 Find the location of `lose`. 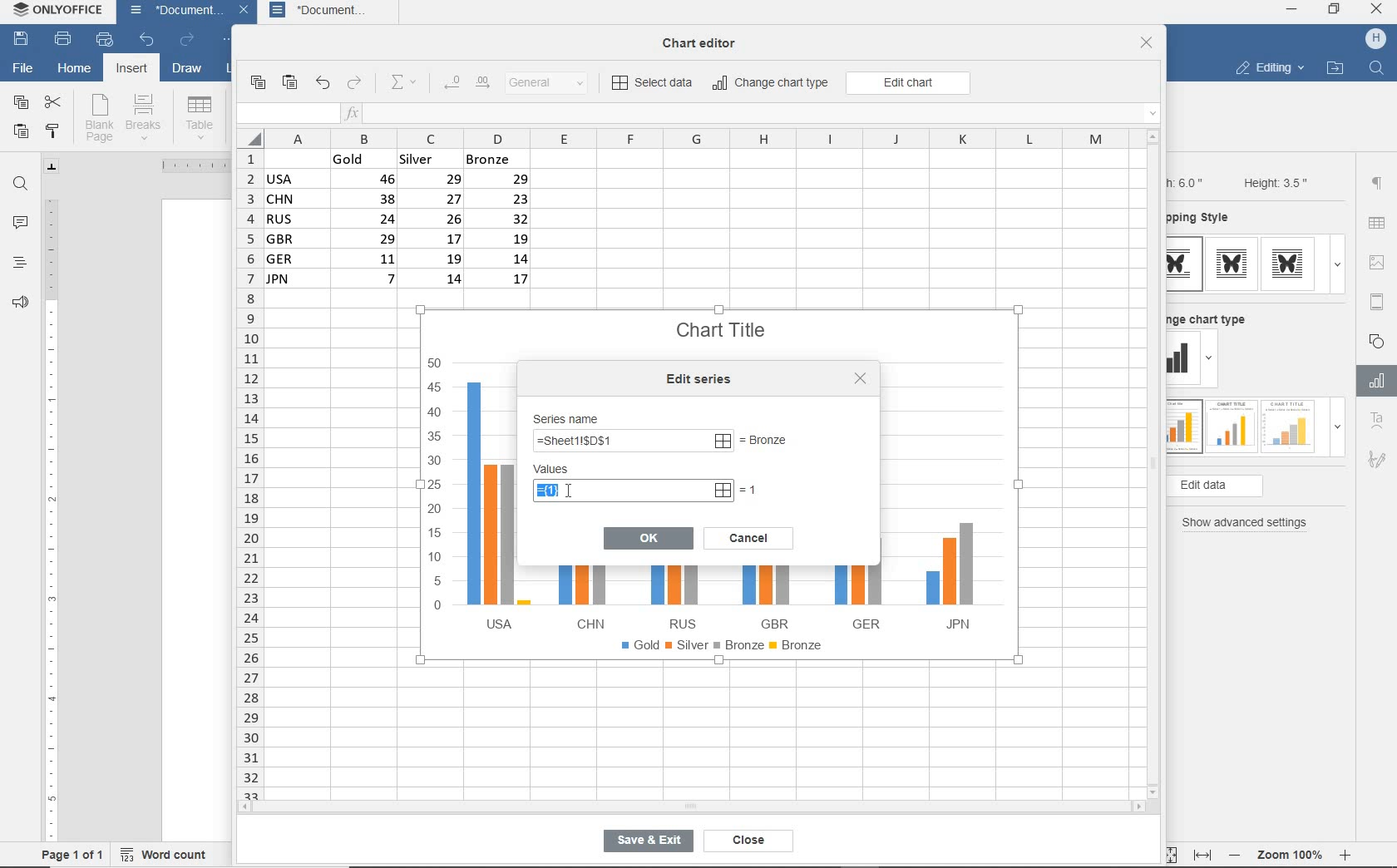

lose is located at coordinates (860, 378).